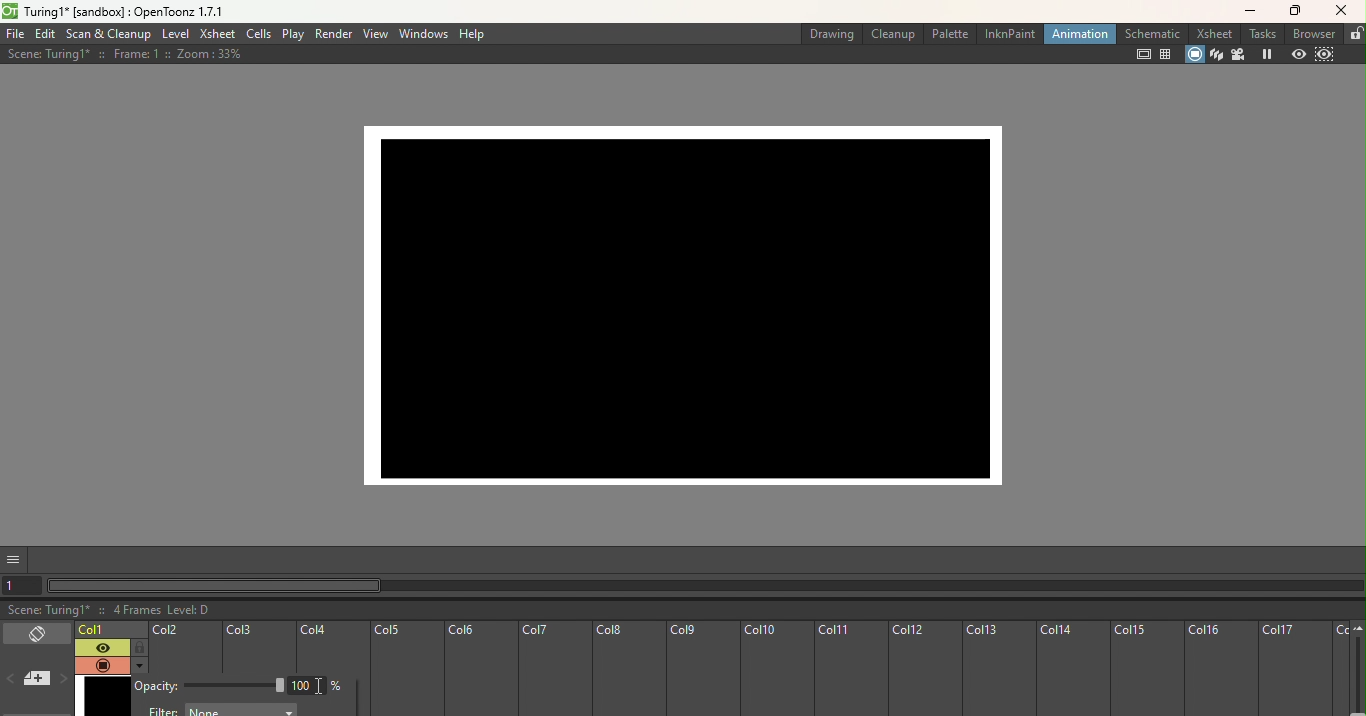 This screenshot has width=1366, height=716. What do you see at coordinates (1216, 54) in the screenshot?
I see `3d View` at bounding box center [1216, 54].